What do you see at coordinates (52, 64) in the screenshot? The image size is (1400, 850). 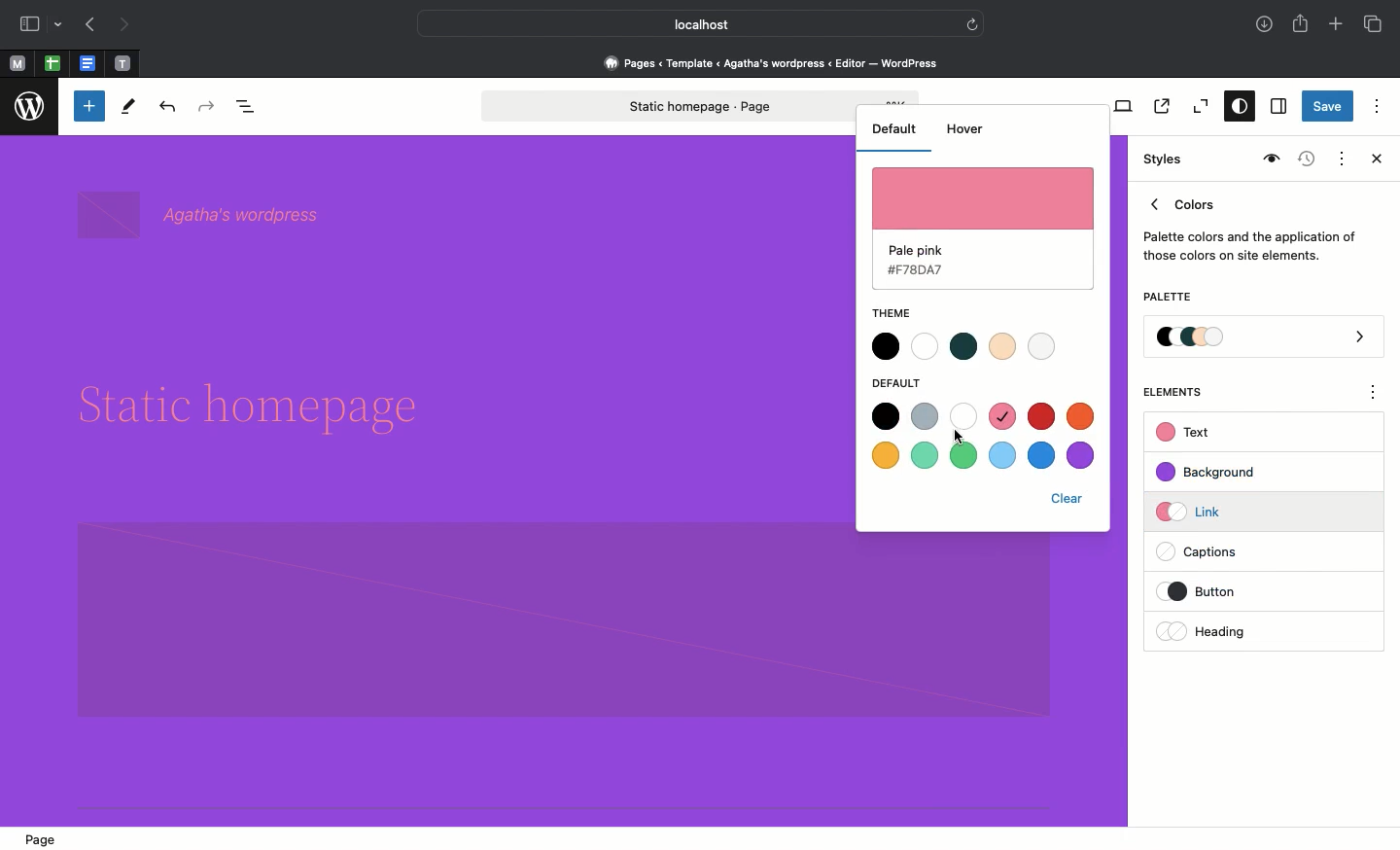 I see `Pinned tab` at bounding box center [52, 64].